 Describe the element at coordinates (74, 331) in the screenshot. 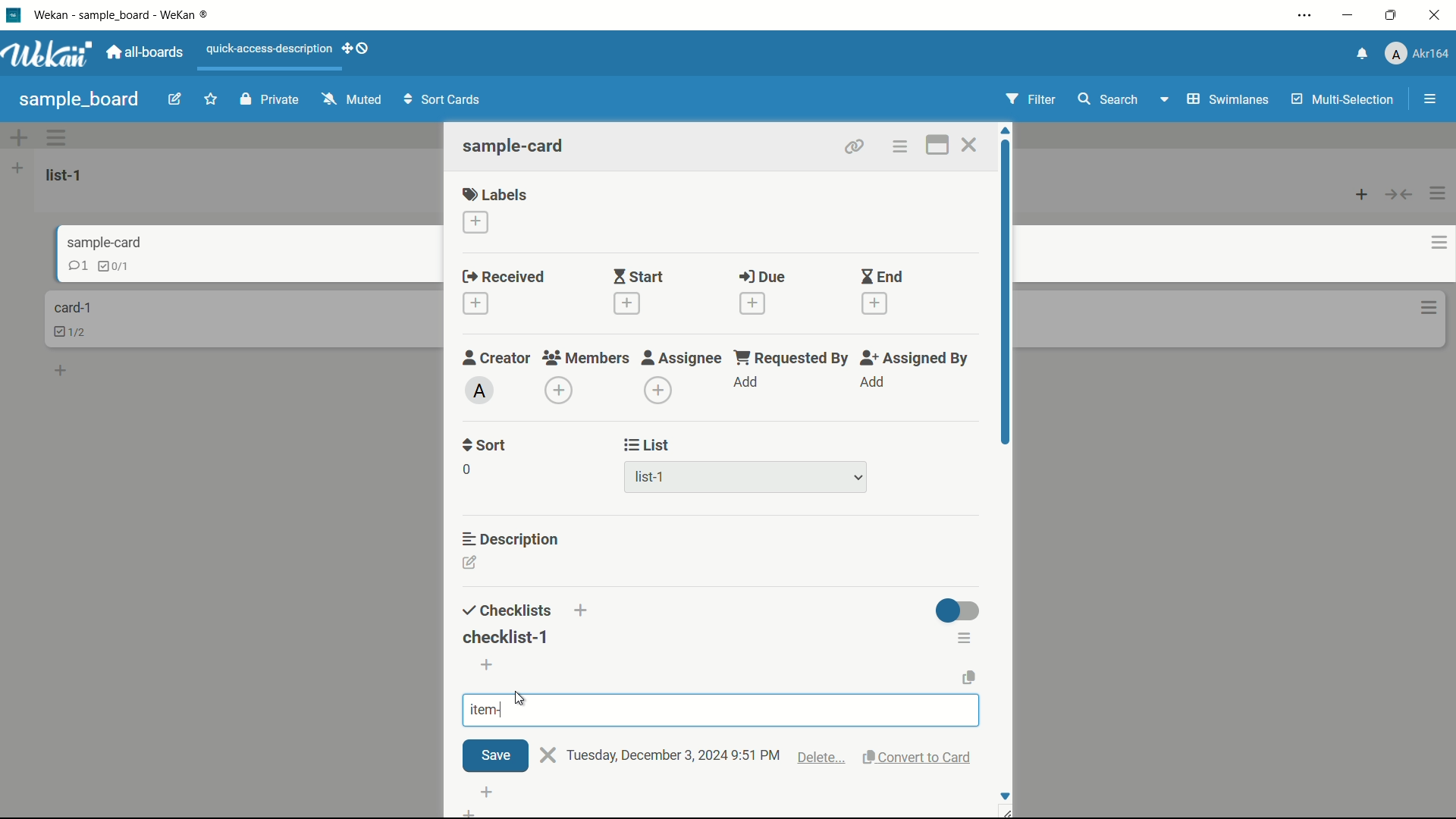

I see `checklist` at that location.